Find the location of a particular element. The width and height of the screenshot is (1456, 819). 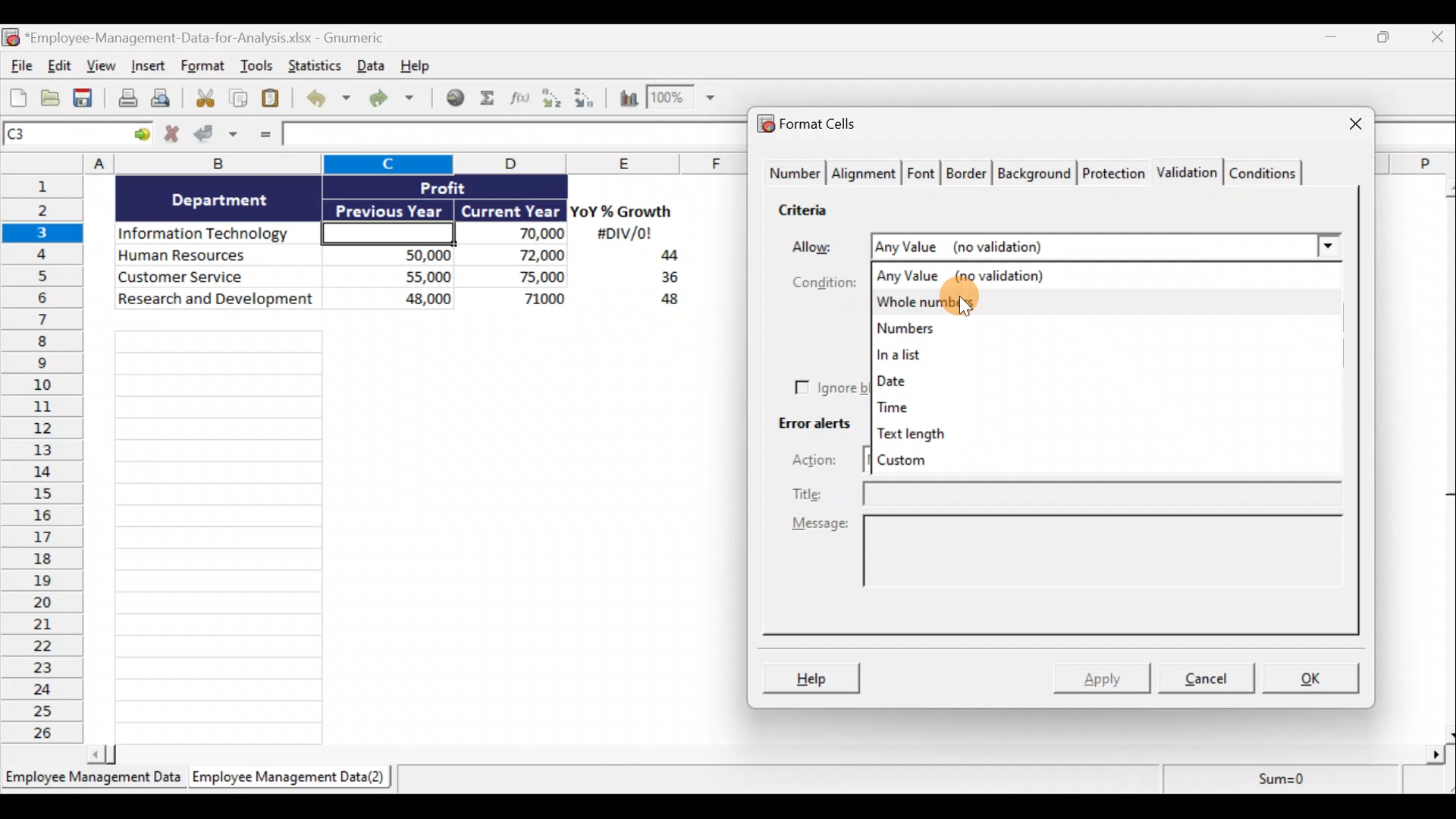

In a list is located at coordinates (1108, 355).